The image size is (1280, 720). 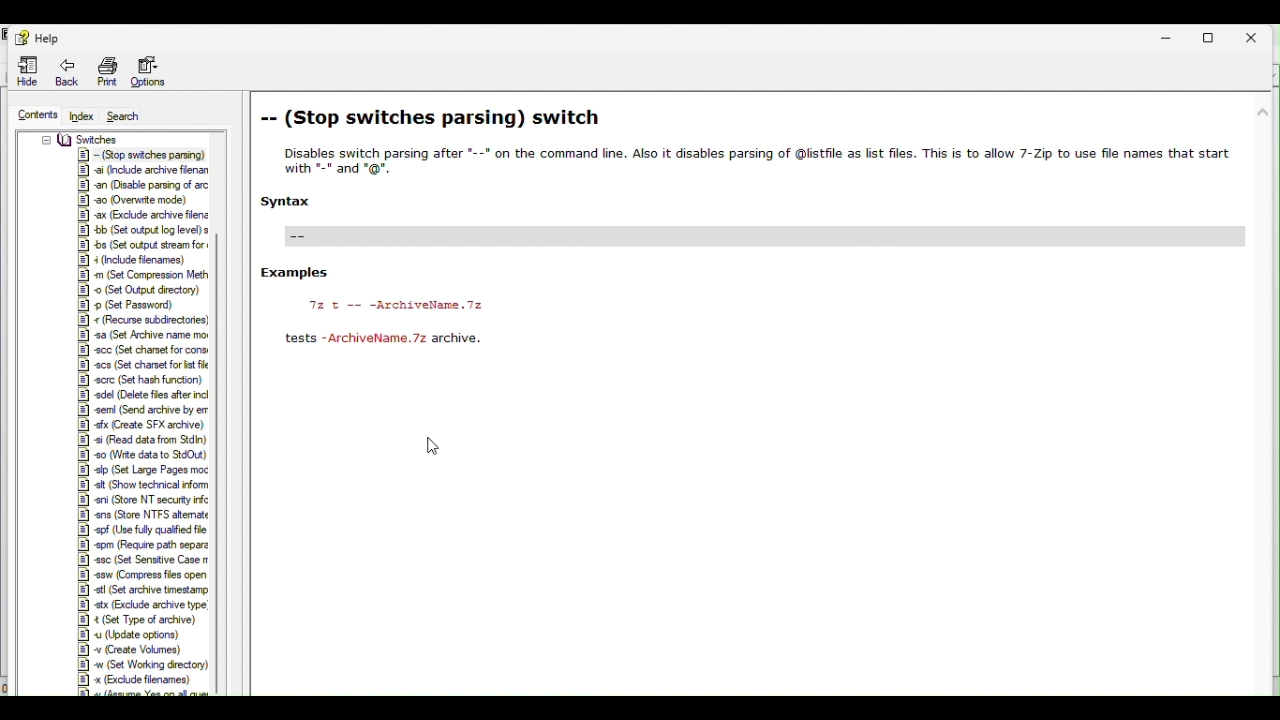 I want to click on , so click(x=145, y=470).